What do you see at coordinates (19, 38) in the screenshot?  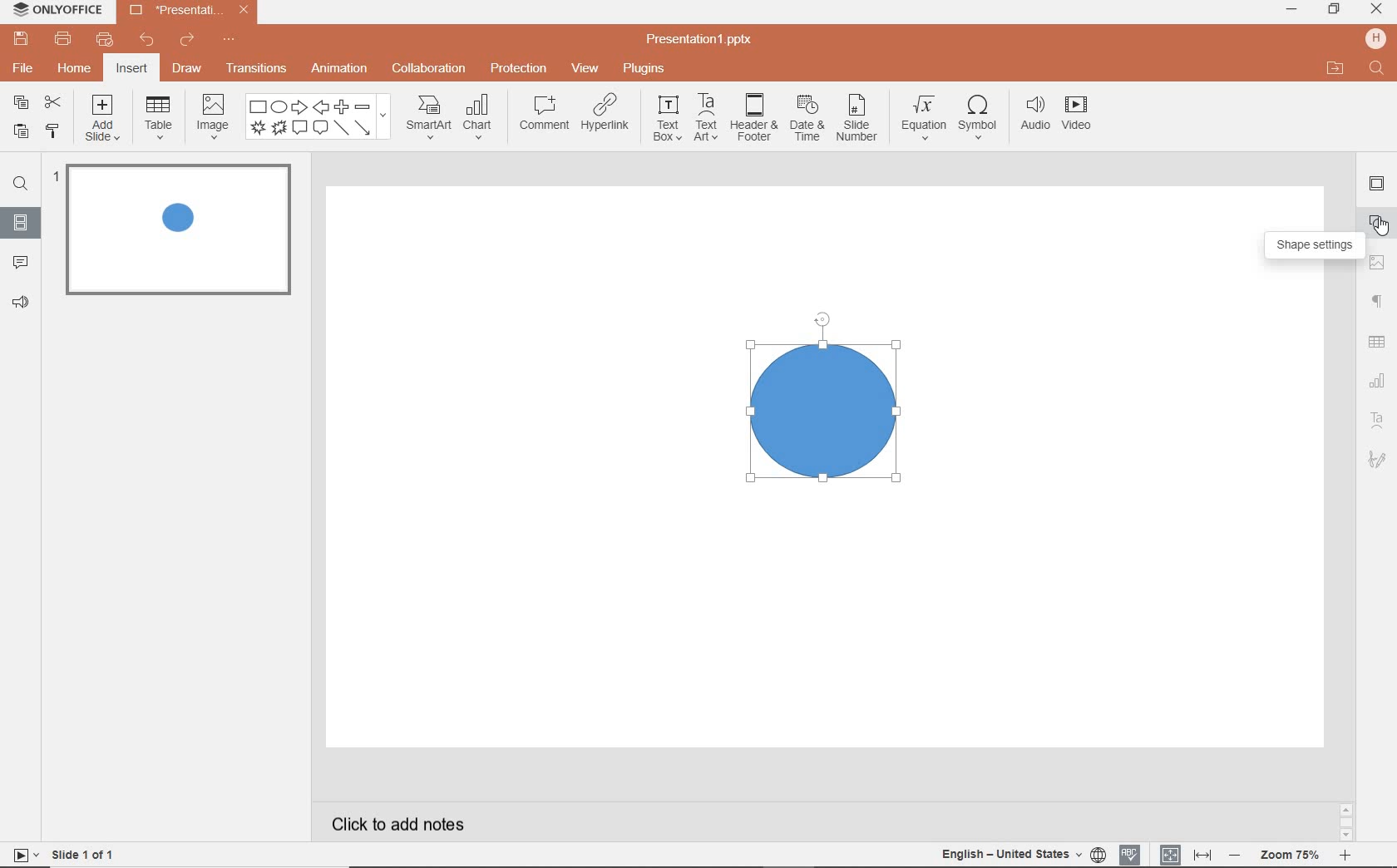 I see `save` at bounding box center [19, 38].